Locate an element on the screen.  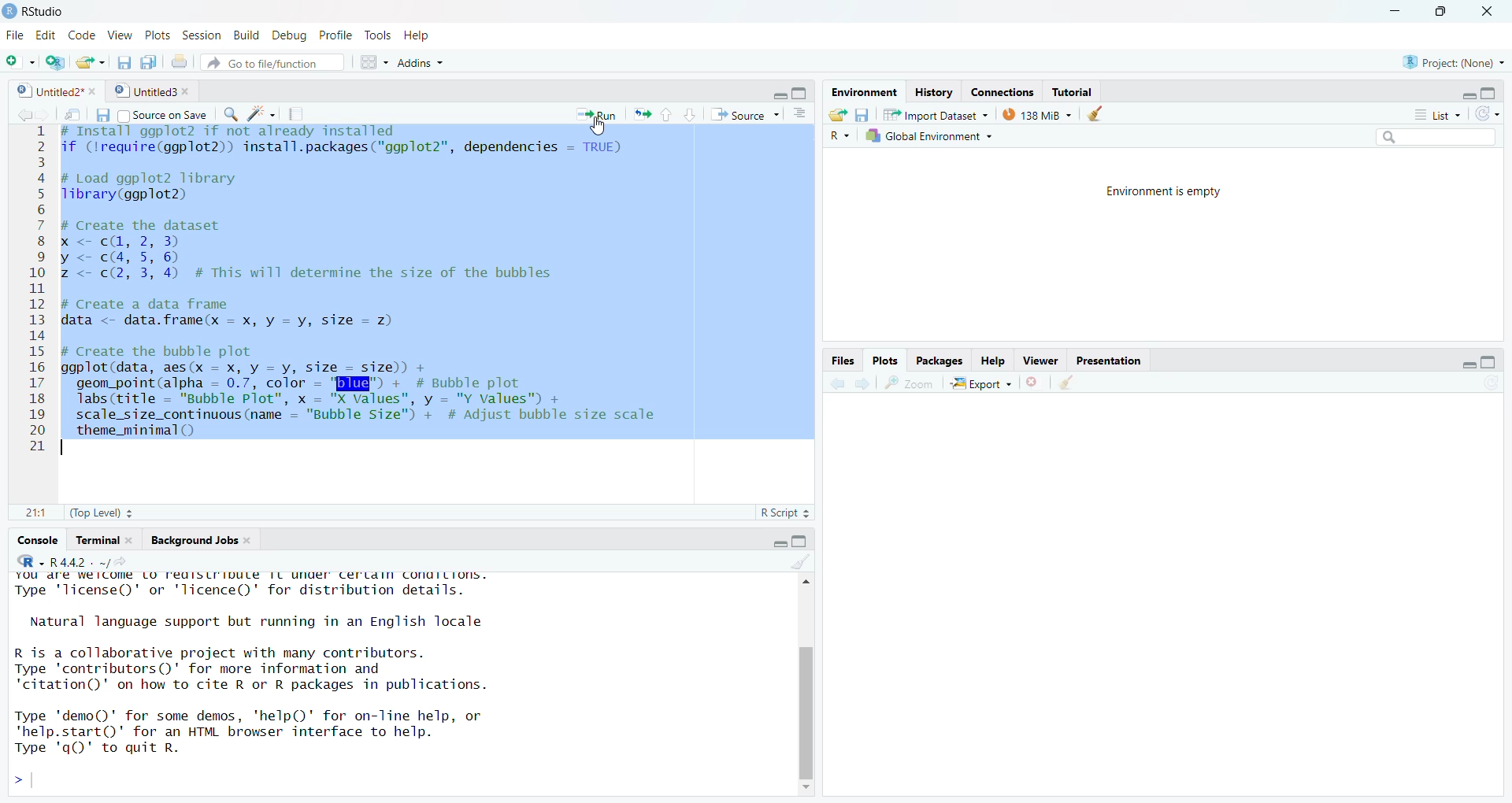
show documents lines is located at coordinates (802, 111).